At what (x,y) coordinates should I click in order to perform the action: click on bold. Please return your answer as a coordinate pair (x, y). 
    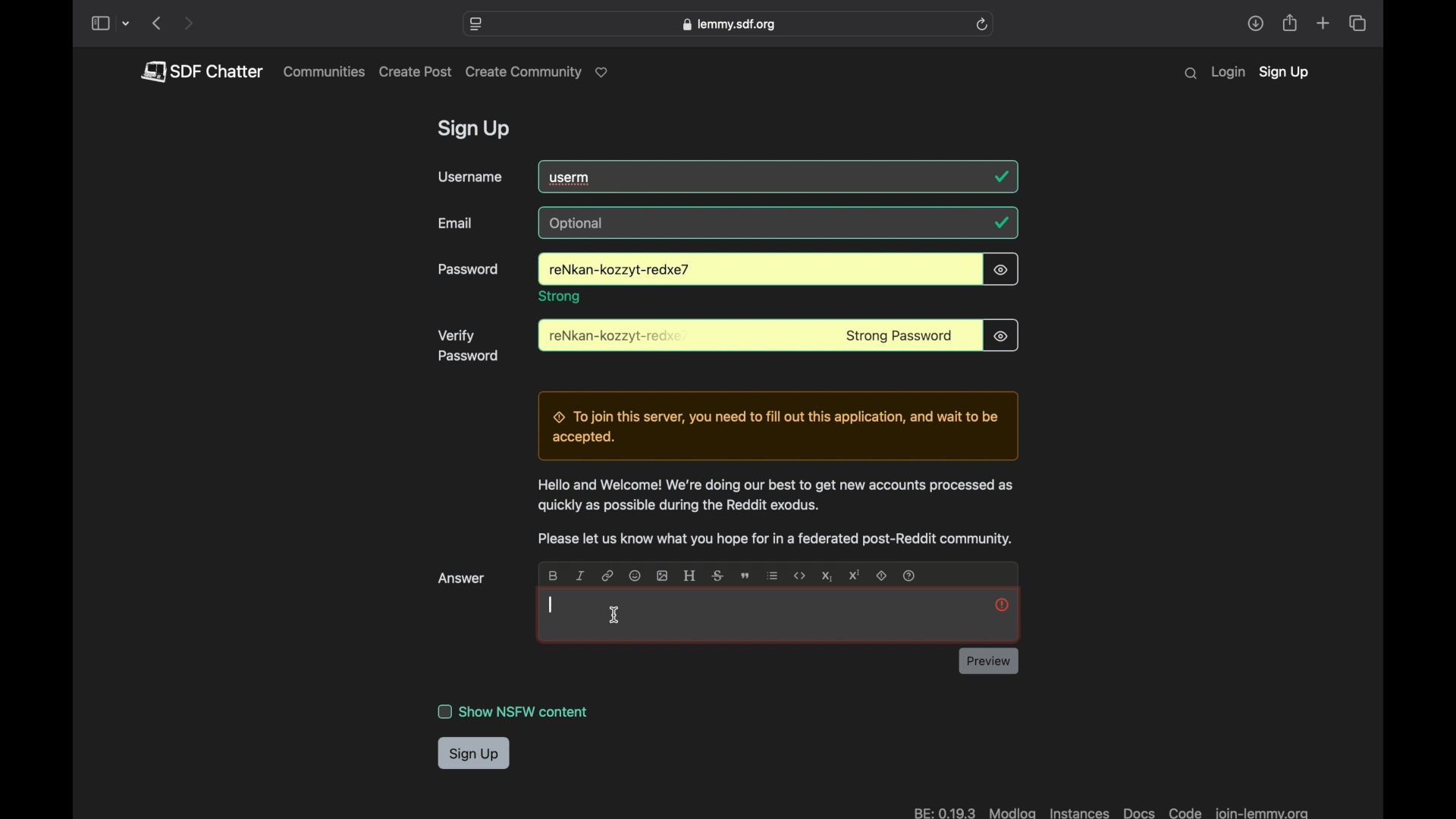
    Looking at the image, I should click on (552, 576).